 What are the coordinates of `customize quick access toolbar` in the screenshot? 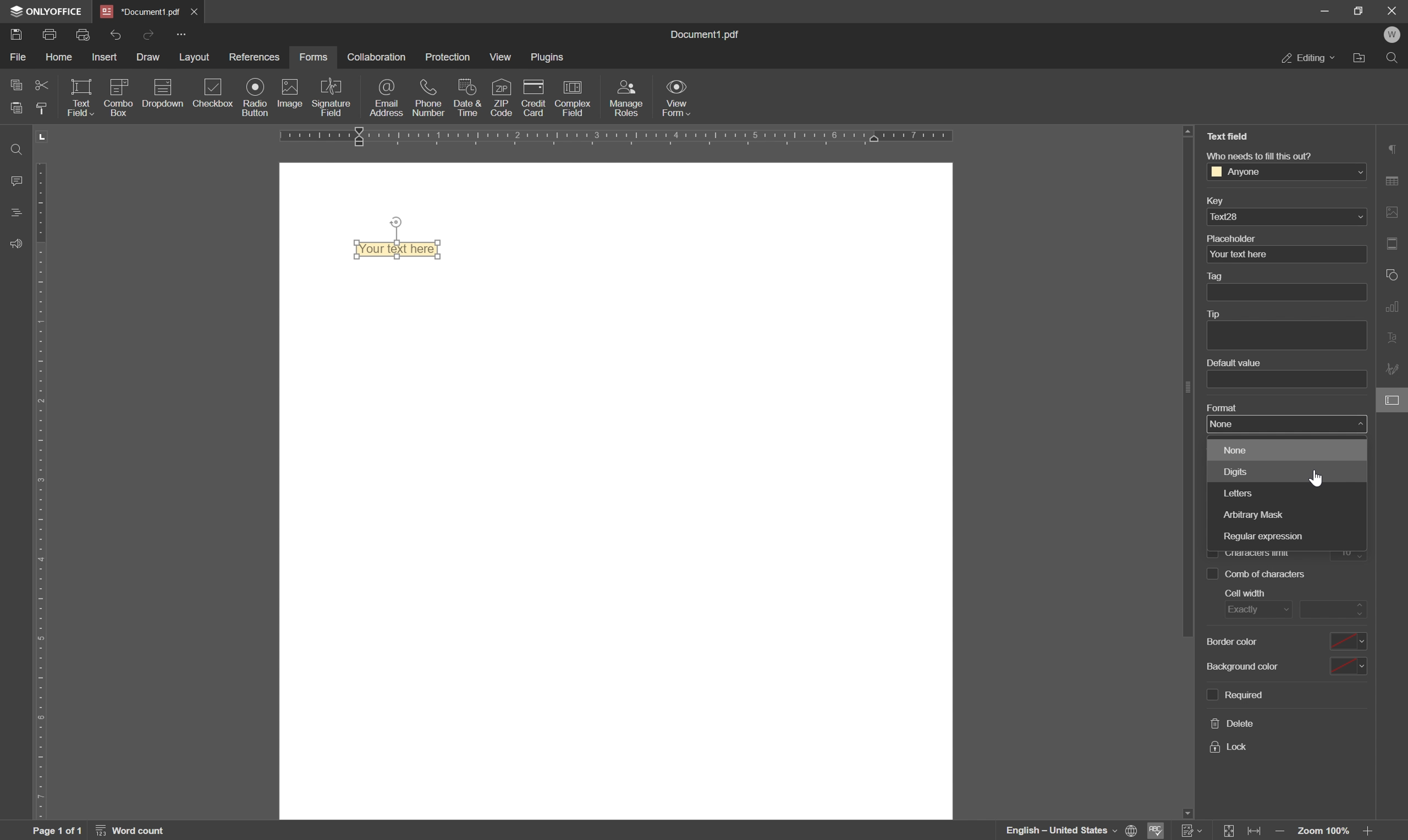 It's located at (181, 35).